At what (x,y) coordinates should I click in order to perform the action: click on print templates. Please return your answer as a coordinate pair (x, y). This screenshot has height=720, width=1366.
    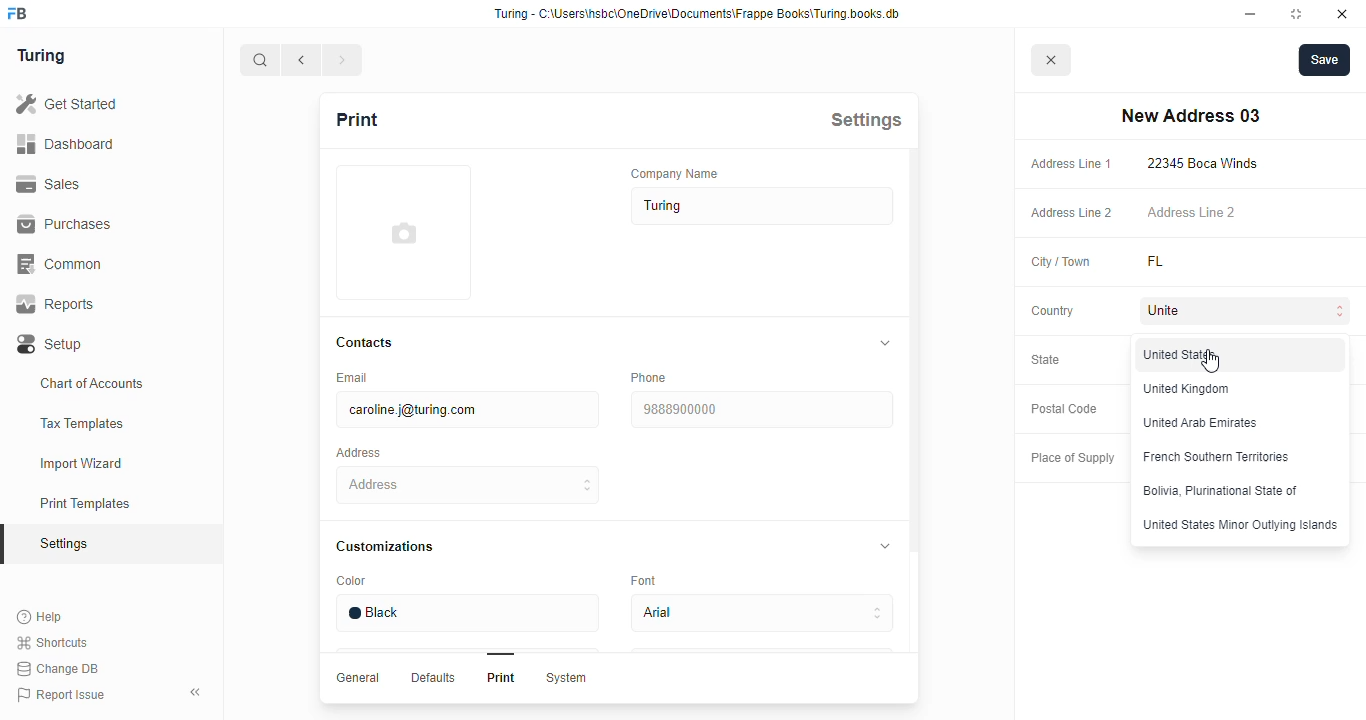
    Looking at the image, I should click on (85, 503).